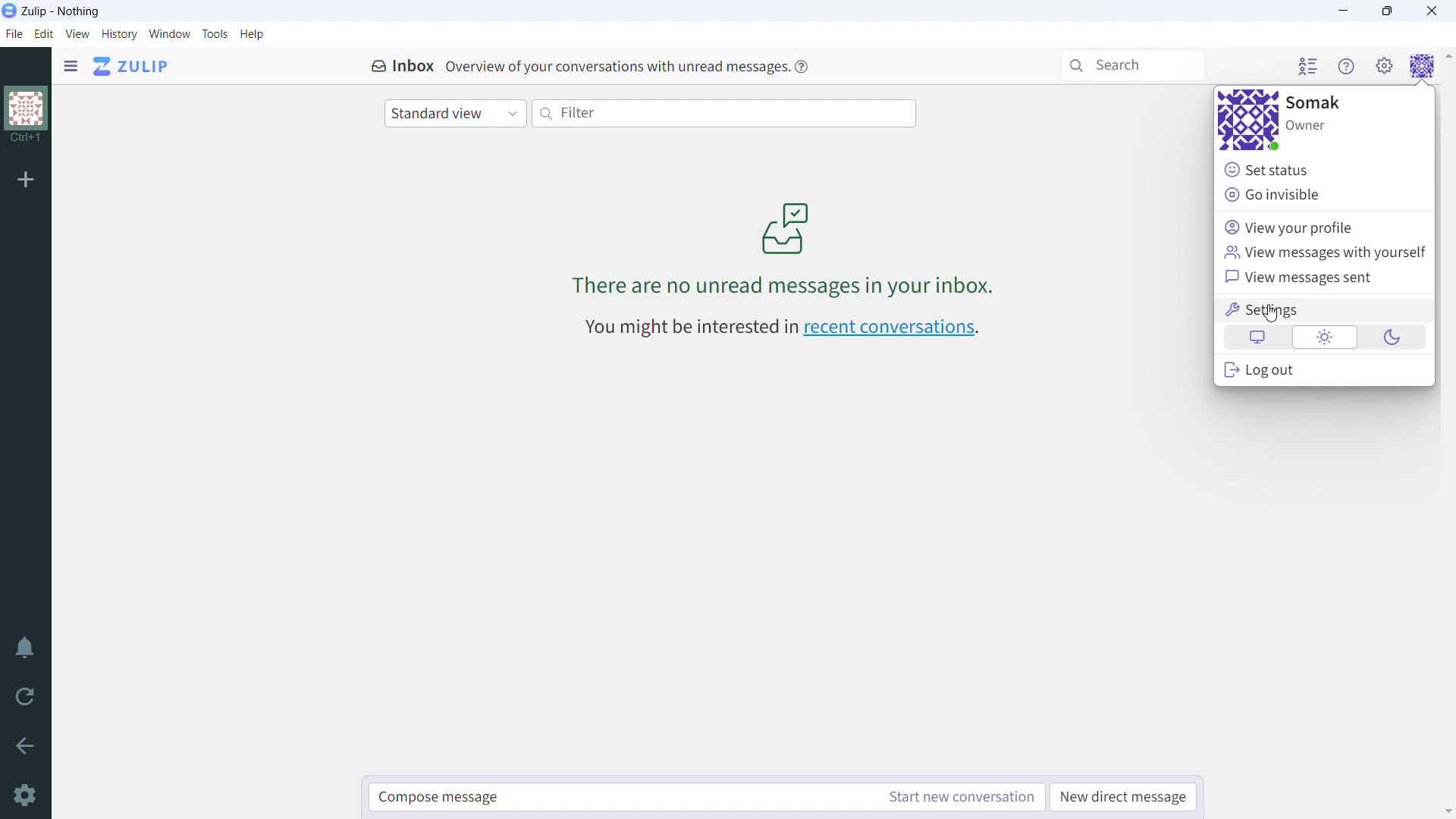 The image size is (1456, 819). What do you see at coordinates (27, 116) in the screenshot?
I see `organization` at bounding box center [27, 116].